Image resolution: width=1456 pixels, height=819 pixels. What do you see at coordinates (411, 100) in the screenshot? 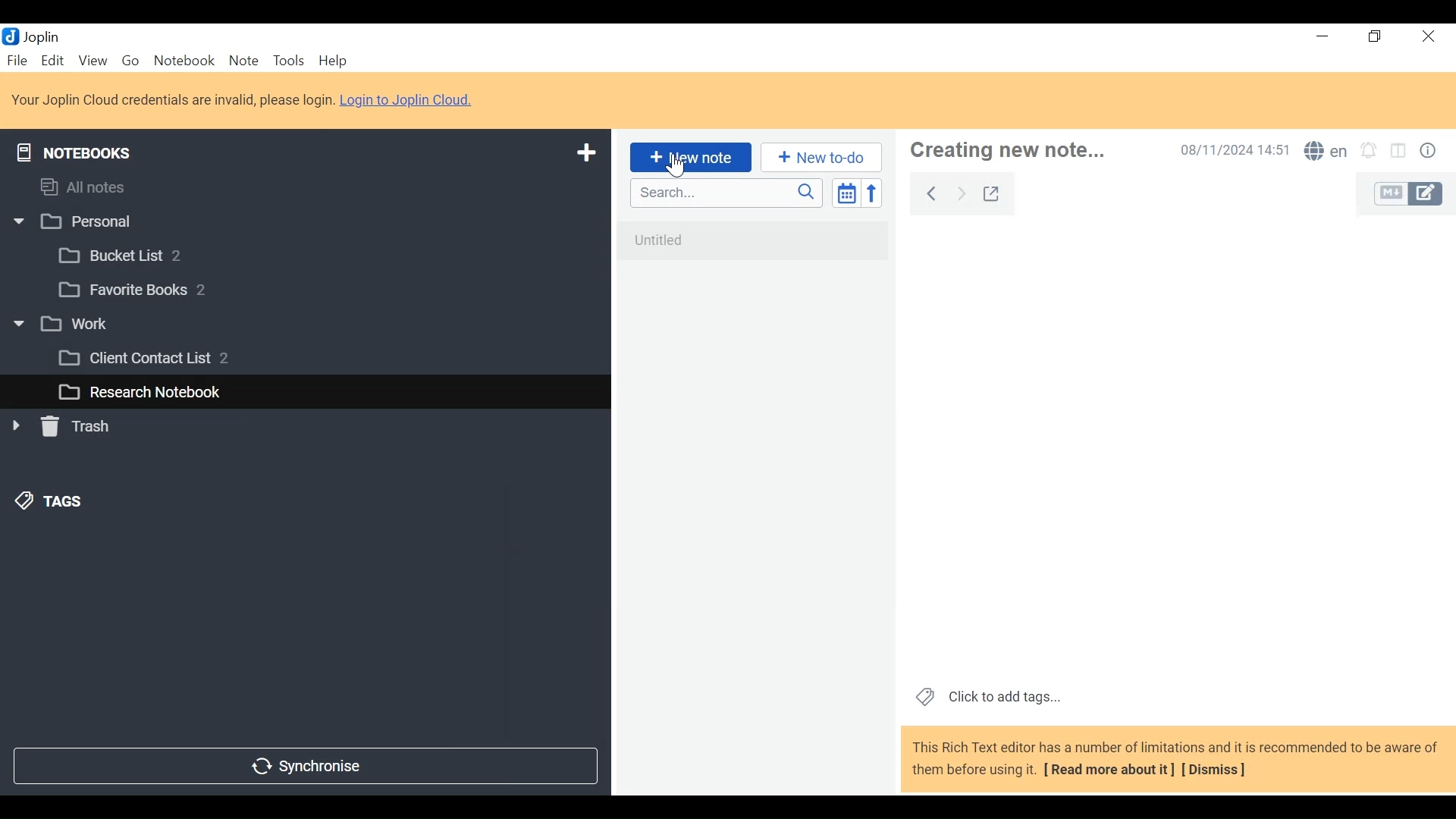
I see `Login to Joplin Cloud` at bounding box center [411, 100].